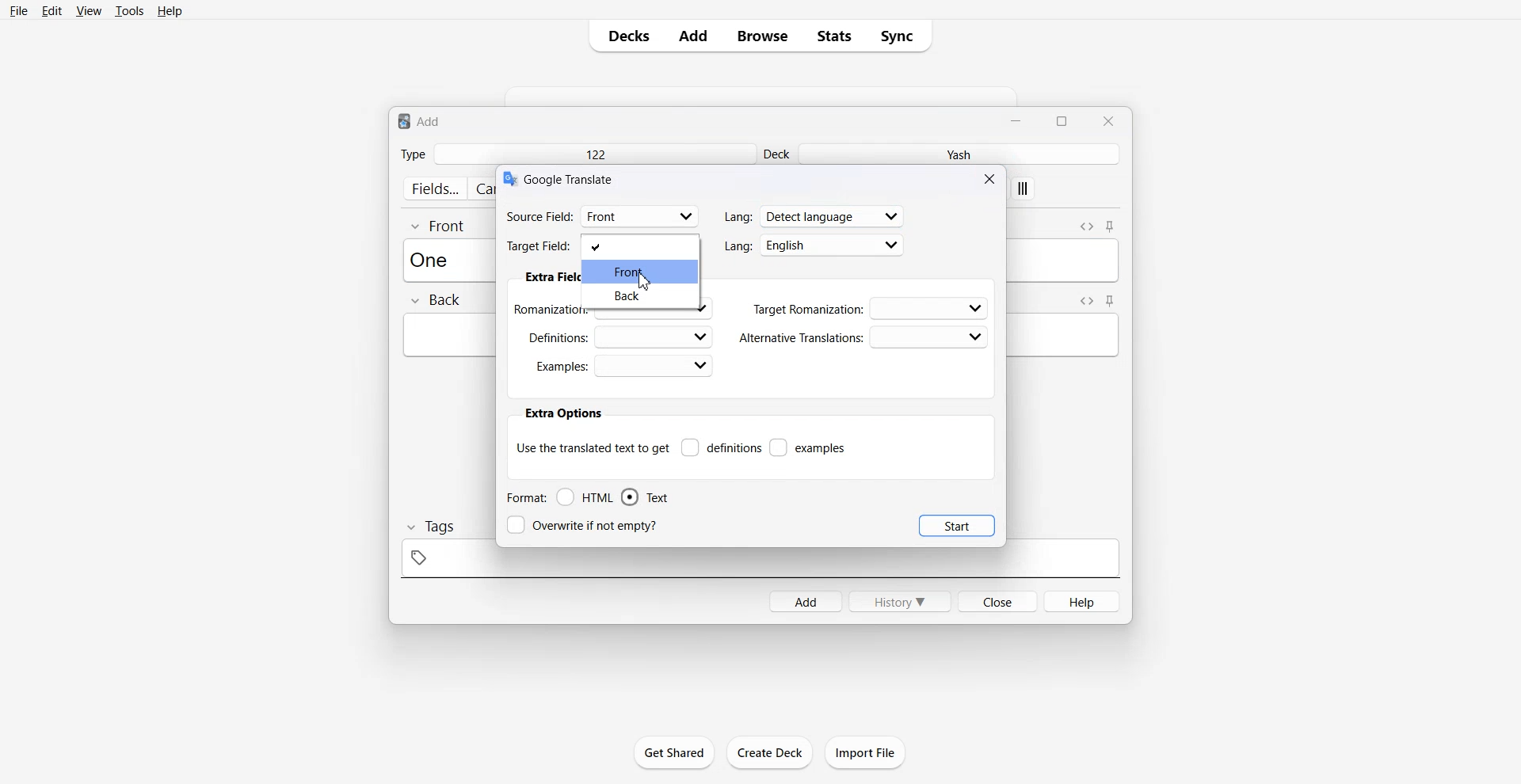  I want to click on Text, so click(645, 497).